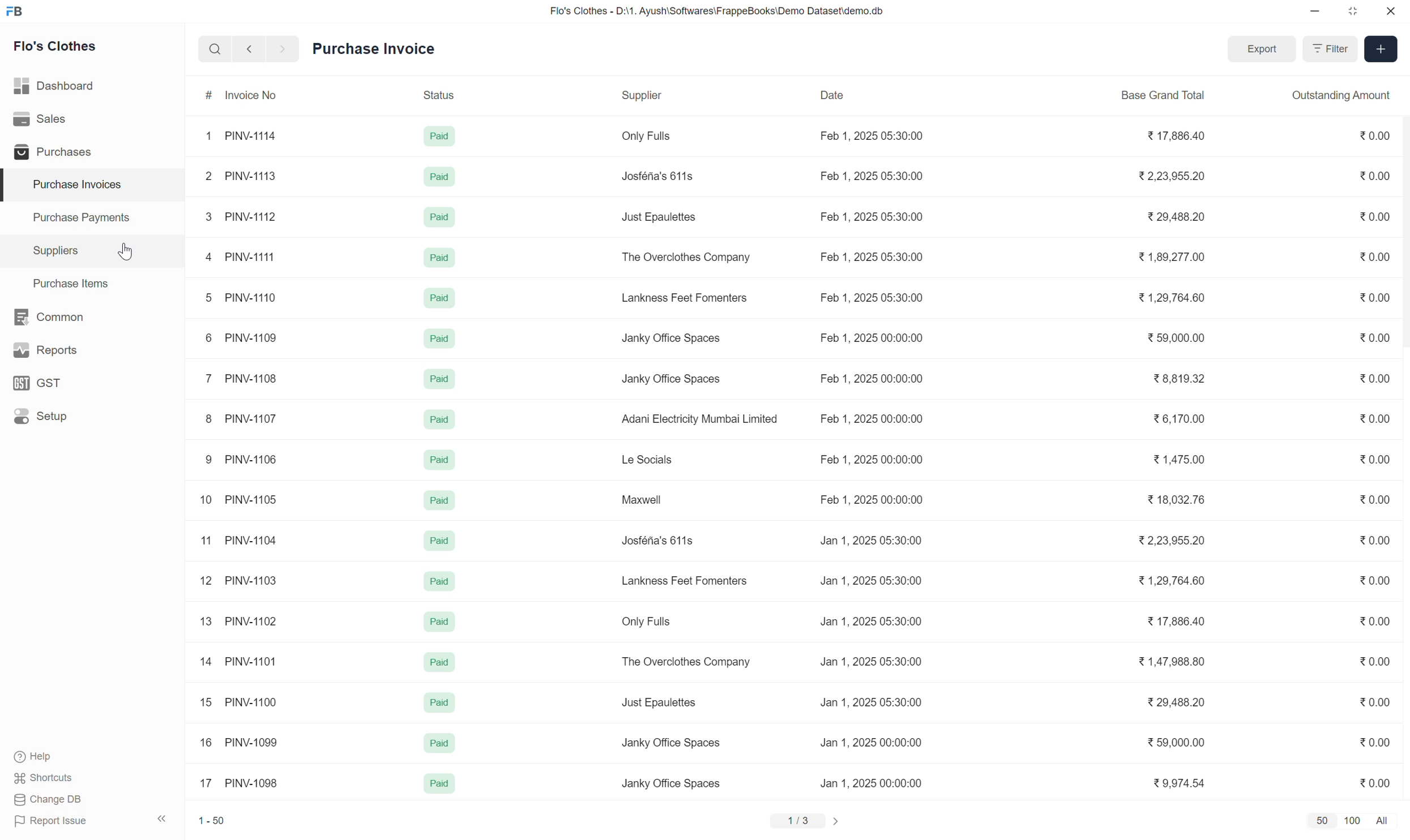  What do you see at coordinates (439, 581) in the screenshot?
I see `Paid` at bounding box center [439, 581].